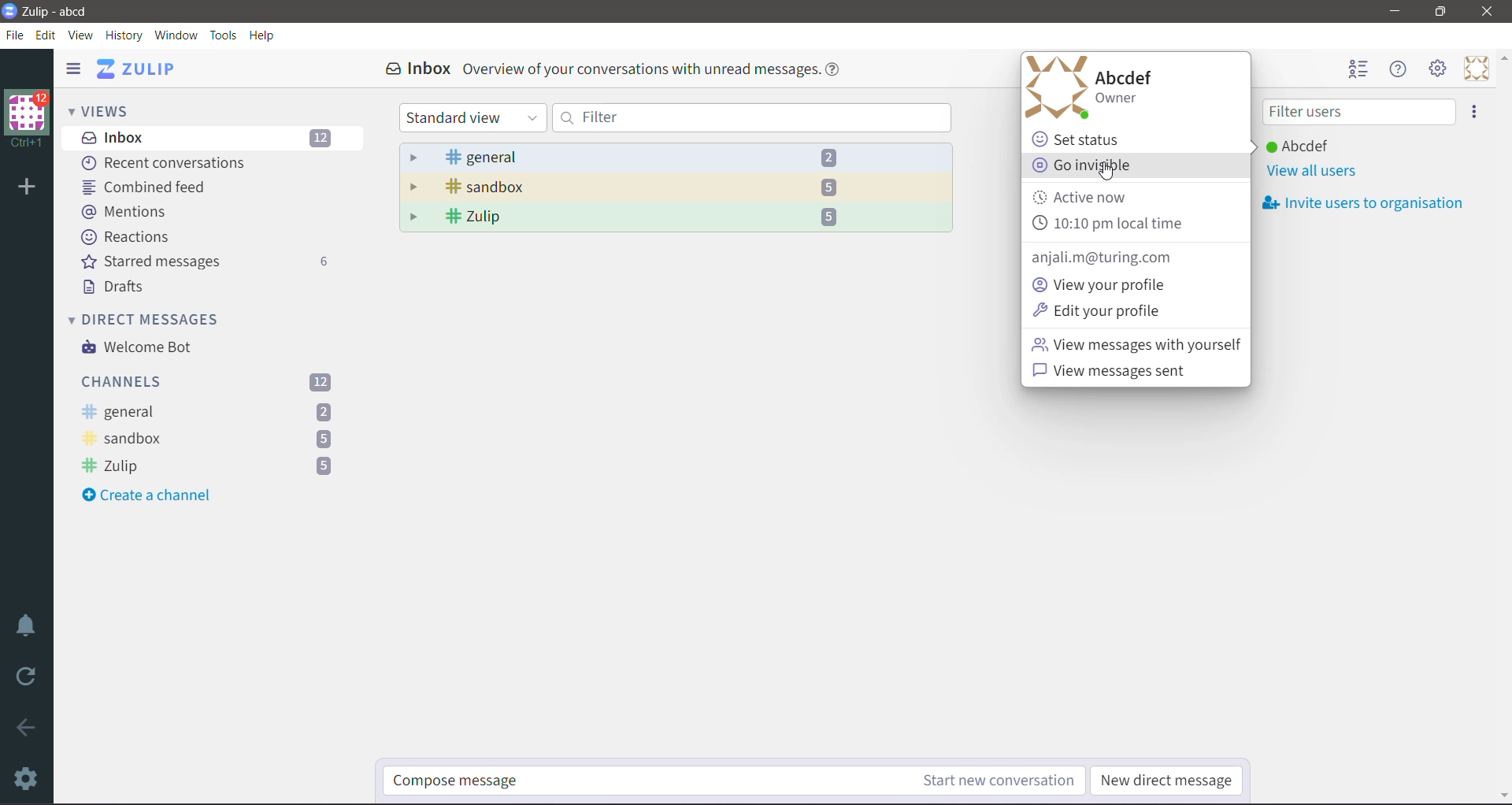 This screenshot has width=1512, height=805. What do you see at coordinates (1487, 12) in the screenshot?
I see `Close` at bounding box center [1487, 12].